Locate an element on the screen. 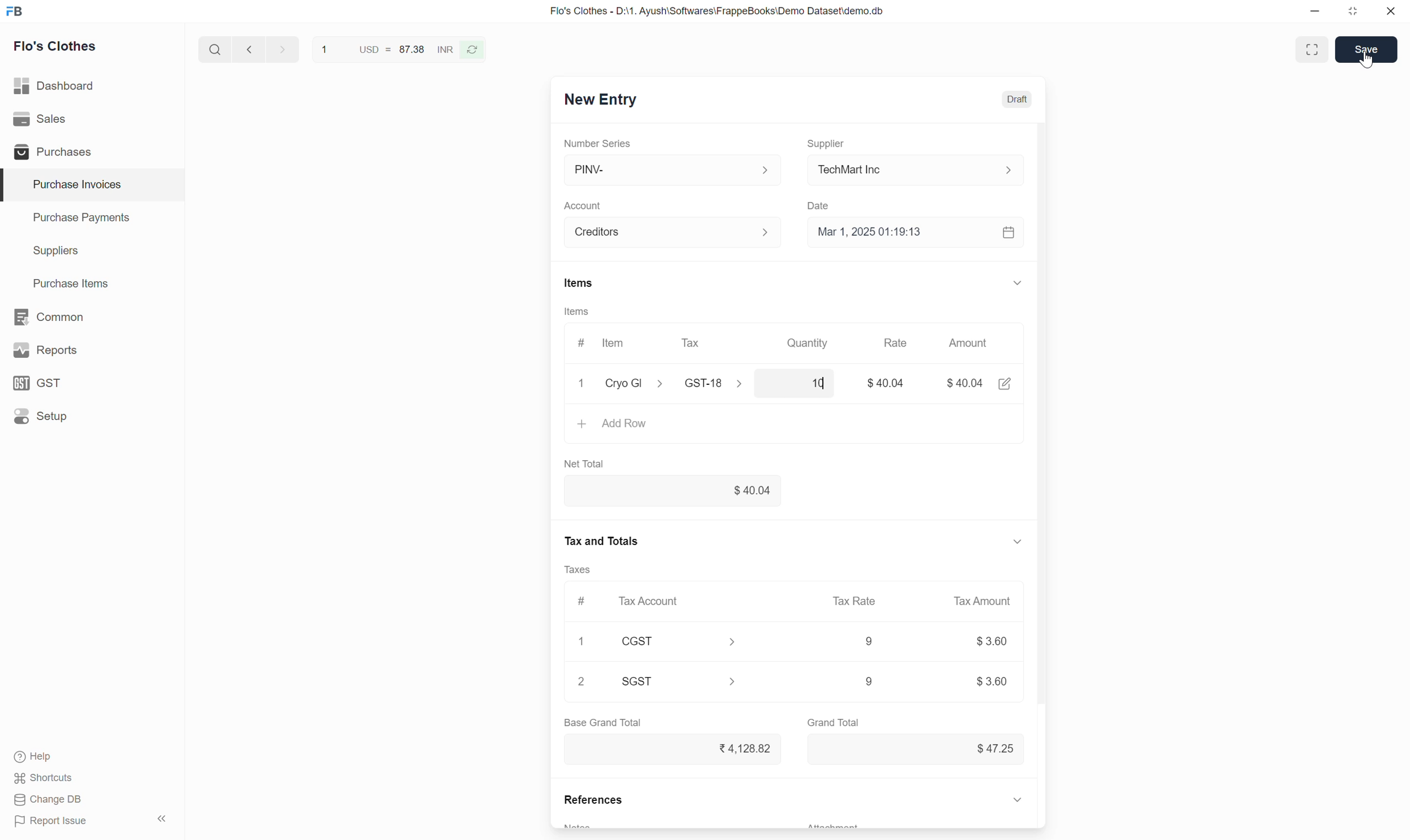 The width and height of the screenshot is (1410, 840). Mar 1, 2025 01:19:13  is located at coordinates (918, 233).